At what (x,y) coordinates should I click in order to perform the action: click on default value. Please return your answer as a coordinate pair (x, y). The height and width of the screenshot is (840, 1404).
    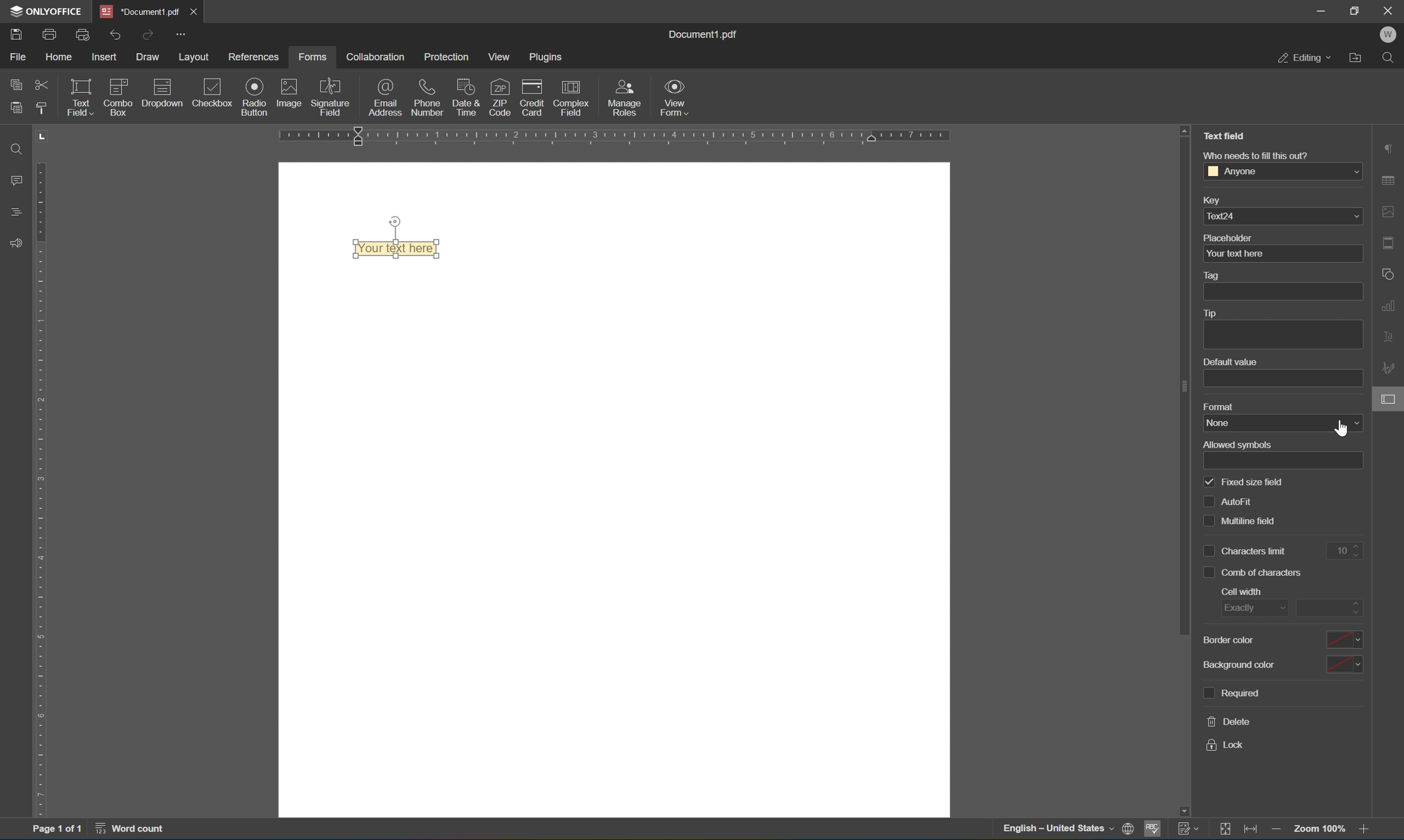
    Looking at the image, I should click on (1230, 362).